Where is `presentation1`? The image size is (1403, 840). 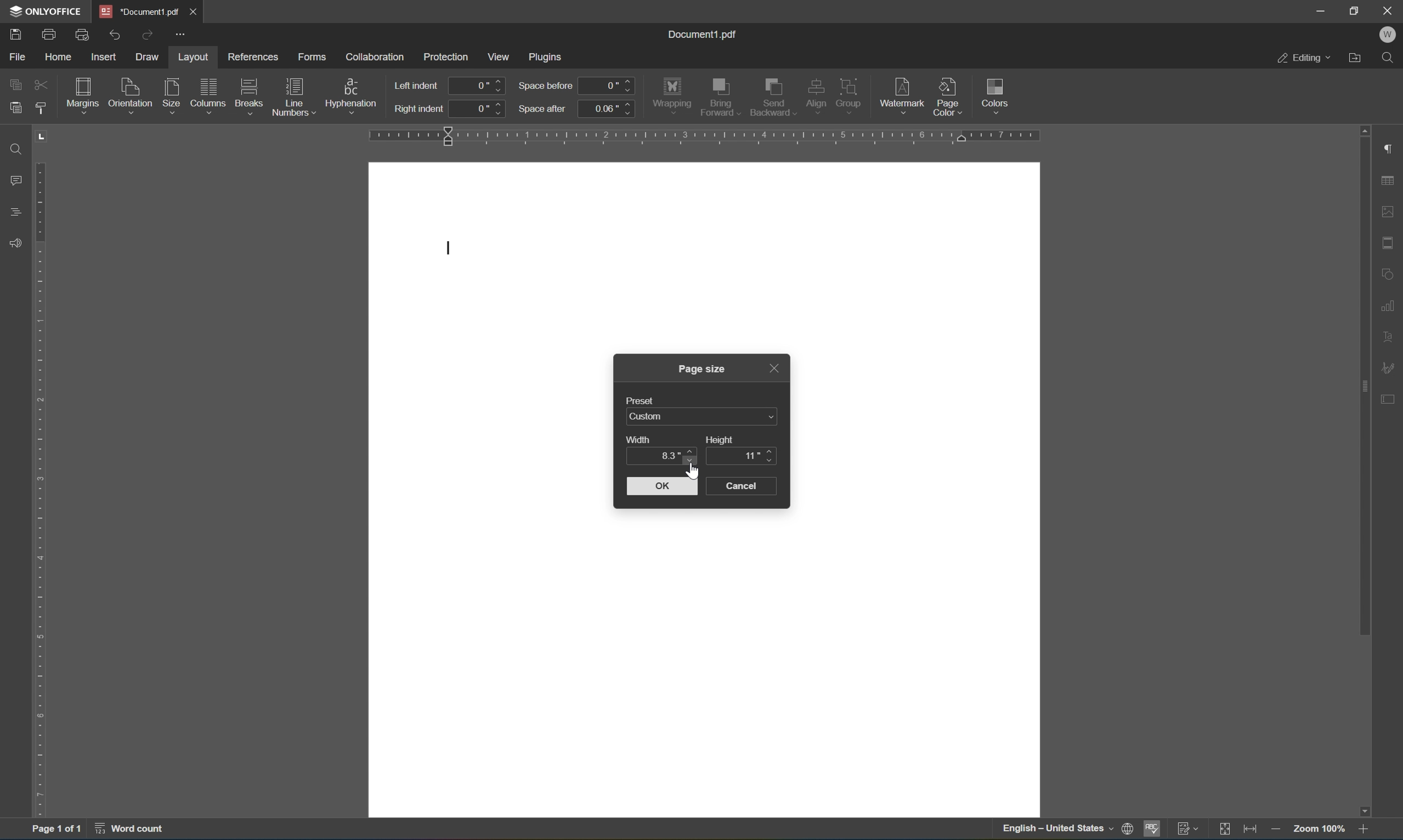
presentation1 is located at coordinates (139, 11).